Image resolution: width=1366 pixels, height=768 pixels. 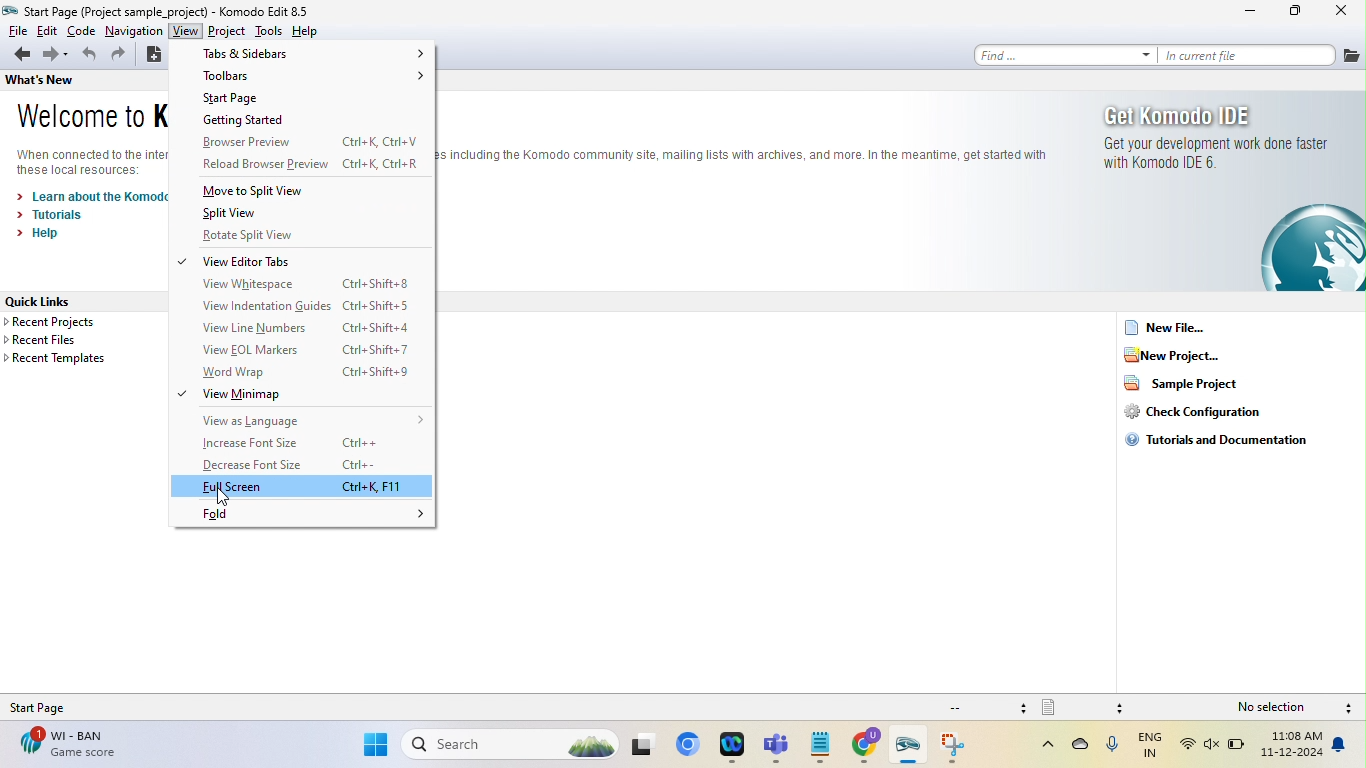 What do you see at coordinates (511, 746) in the screenshot?
I see `search` at bounding box center [511, 746].